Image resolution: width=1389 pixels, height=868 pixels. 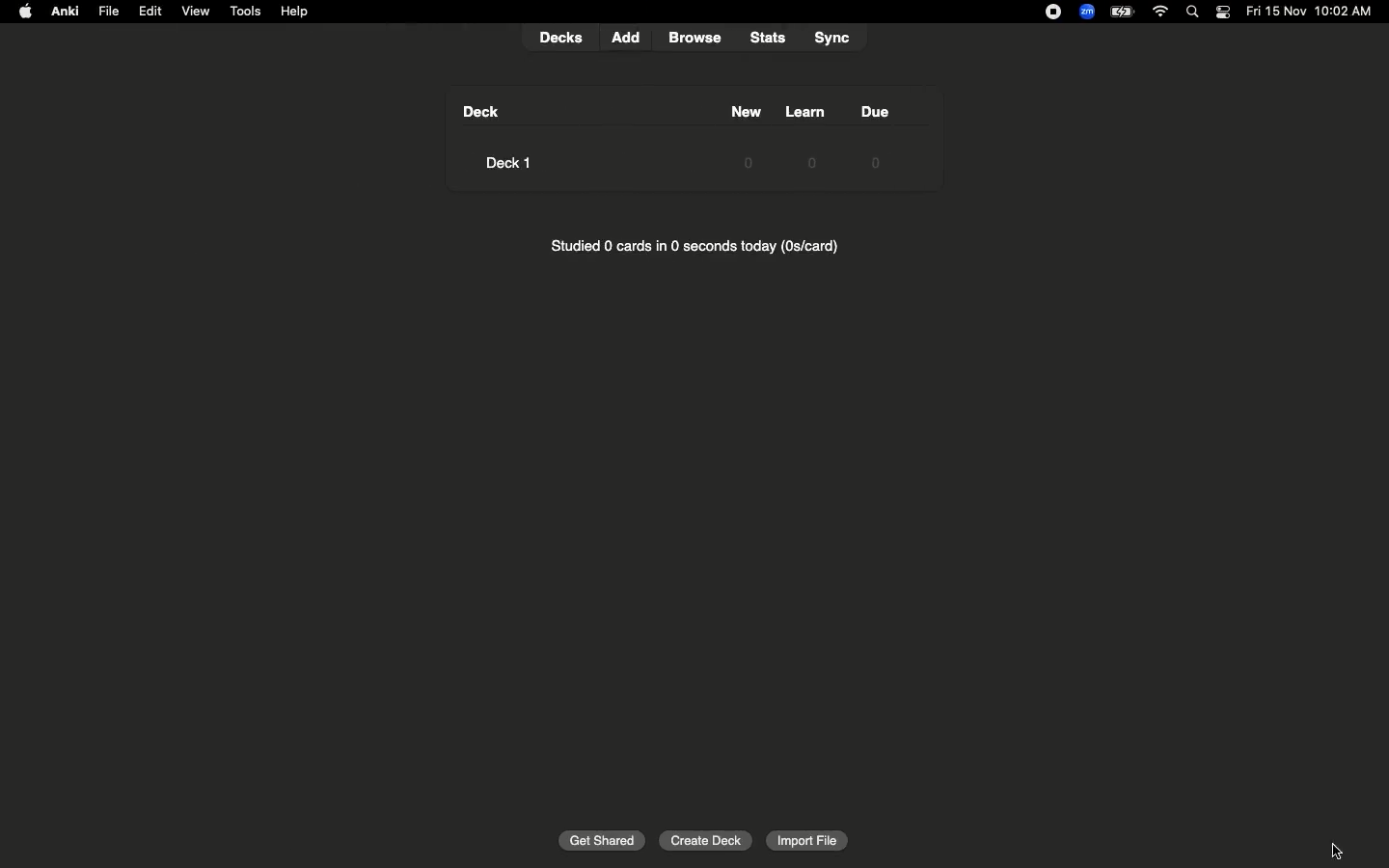 I want to click on Add, so click(x=631, y=37).